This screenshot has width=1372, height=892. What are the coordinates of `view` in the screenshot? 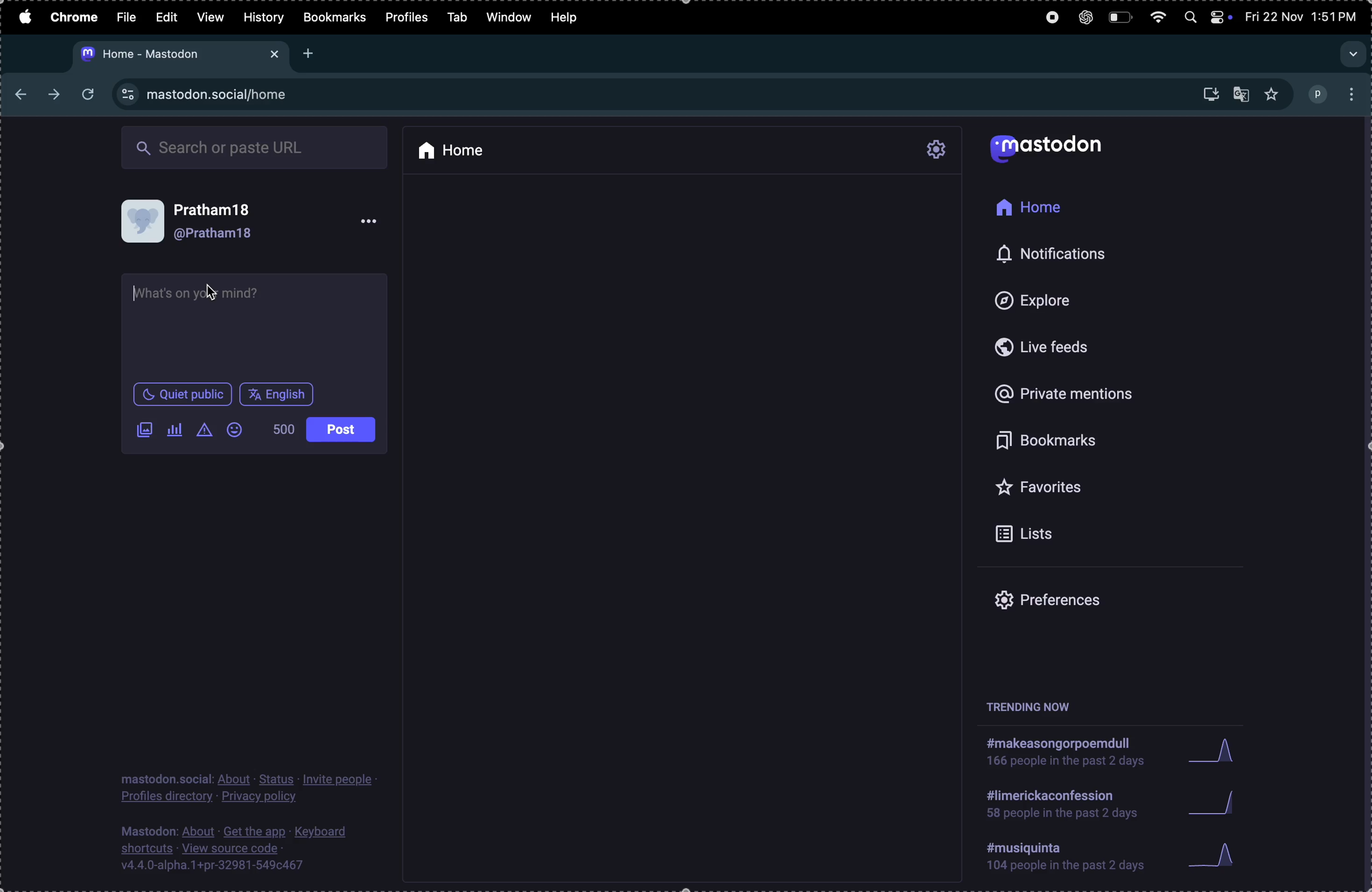 It's located at (211, 16).